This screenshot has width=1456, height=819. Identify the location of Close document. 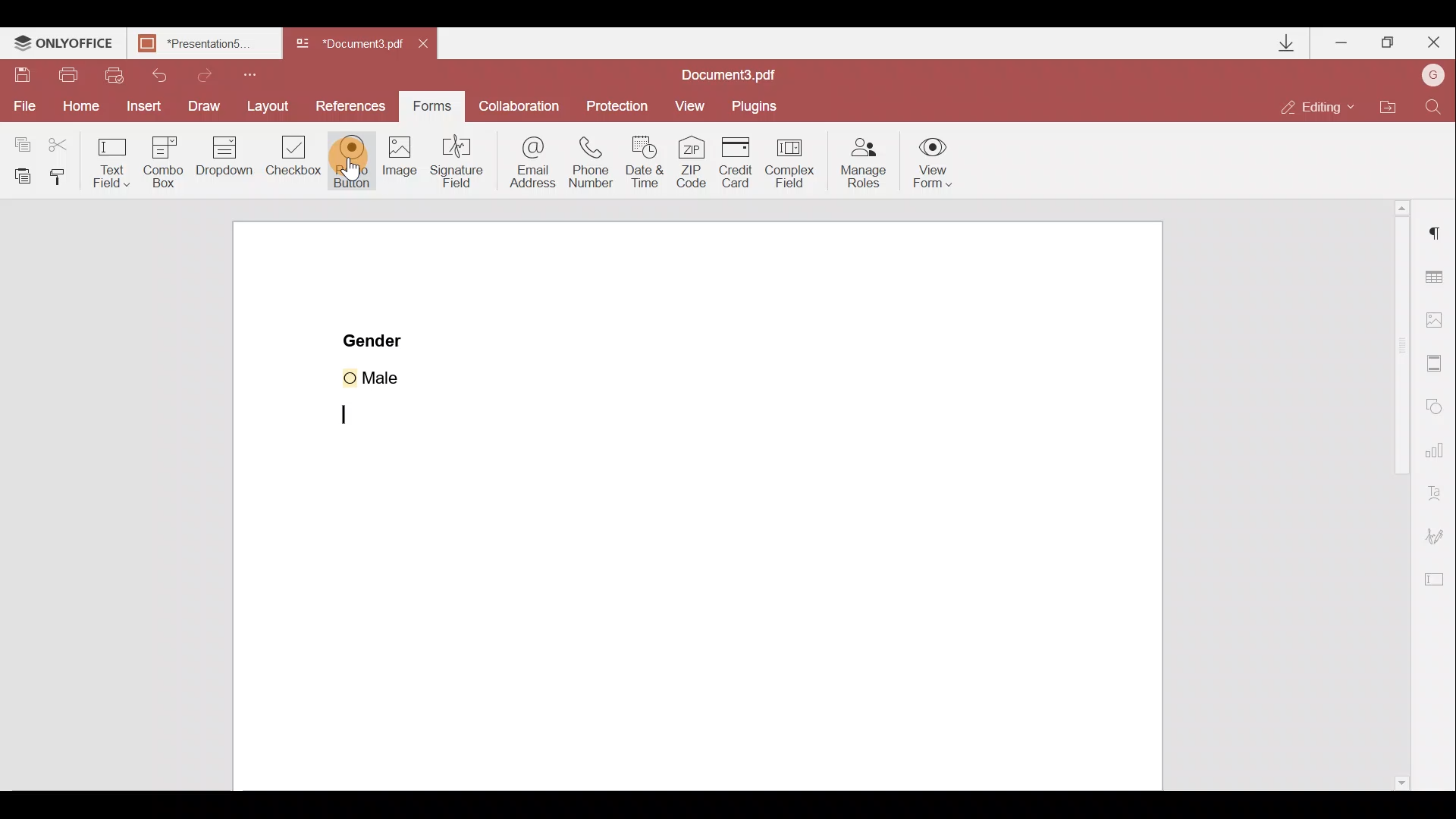
(427, 45).